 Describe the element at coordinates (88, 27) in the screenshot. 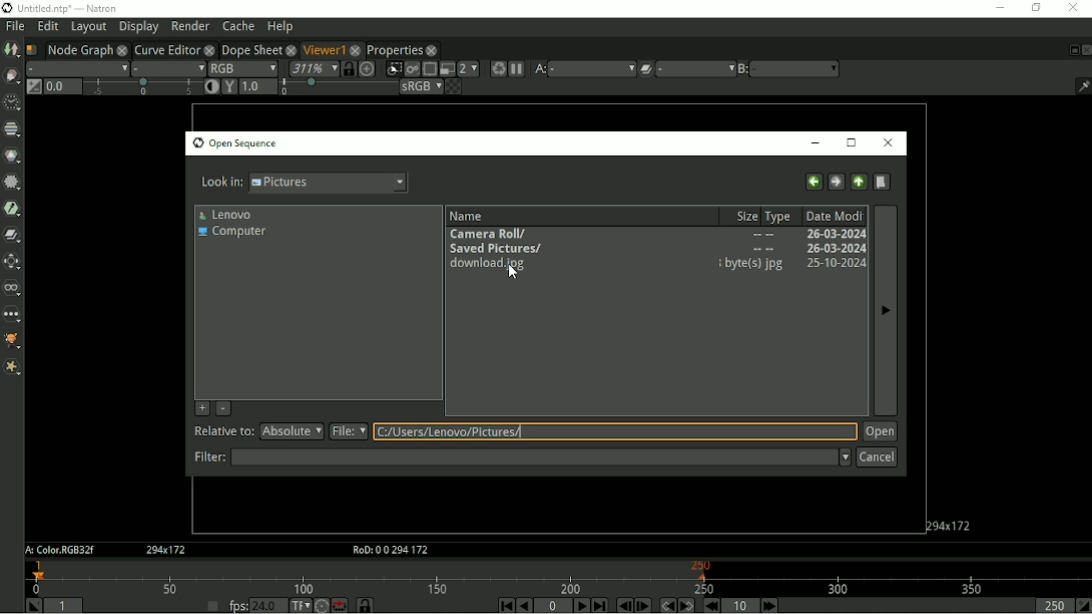

I see `Layout` at that location.